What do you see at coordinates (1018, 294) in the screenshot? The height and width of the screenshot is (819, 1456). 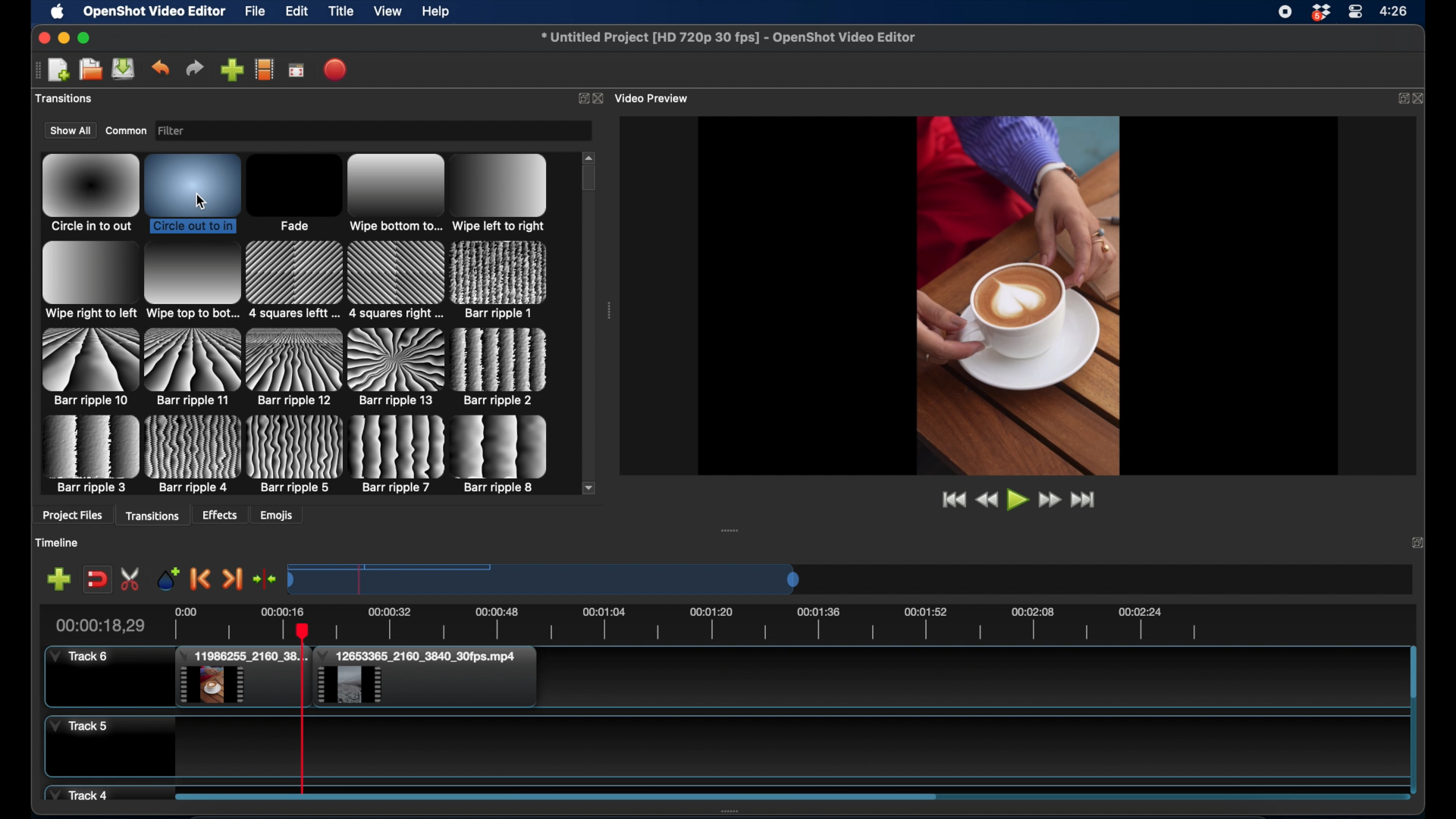 I see `video preview` at bounding box center [1018, 294].